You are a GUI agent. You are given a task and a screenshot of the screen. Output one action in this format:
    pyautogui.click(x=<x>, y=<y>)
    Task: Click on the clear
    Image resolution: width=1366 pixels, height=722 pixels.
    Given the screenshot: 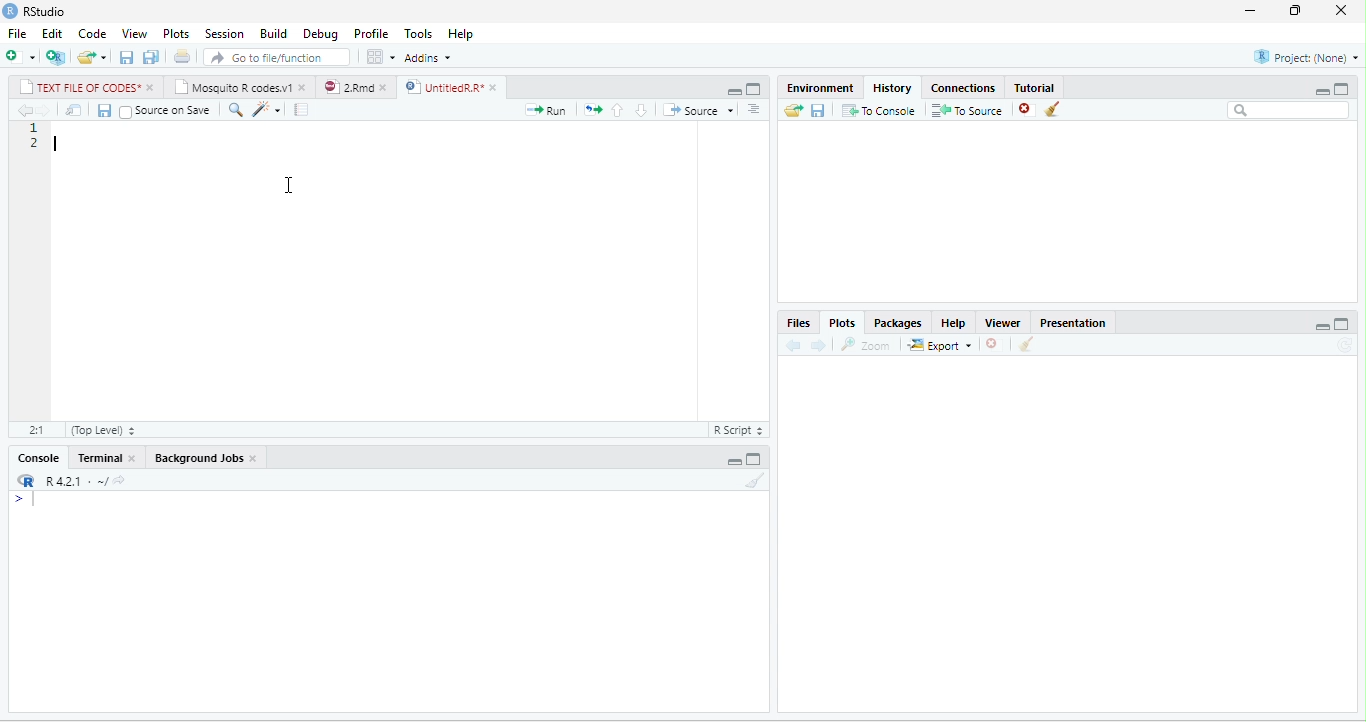 What is the action you would take?
    pyautogui.click(x=756, y=480)
    